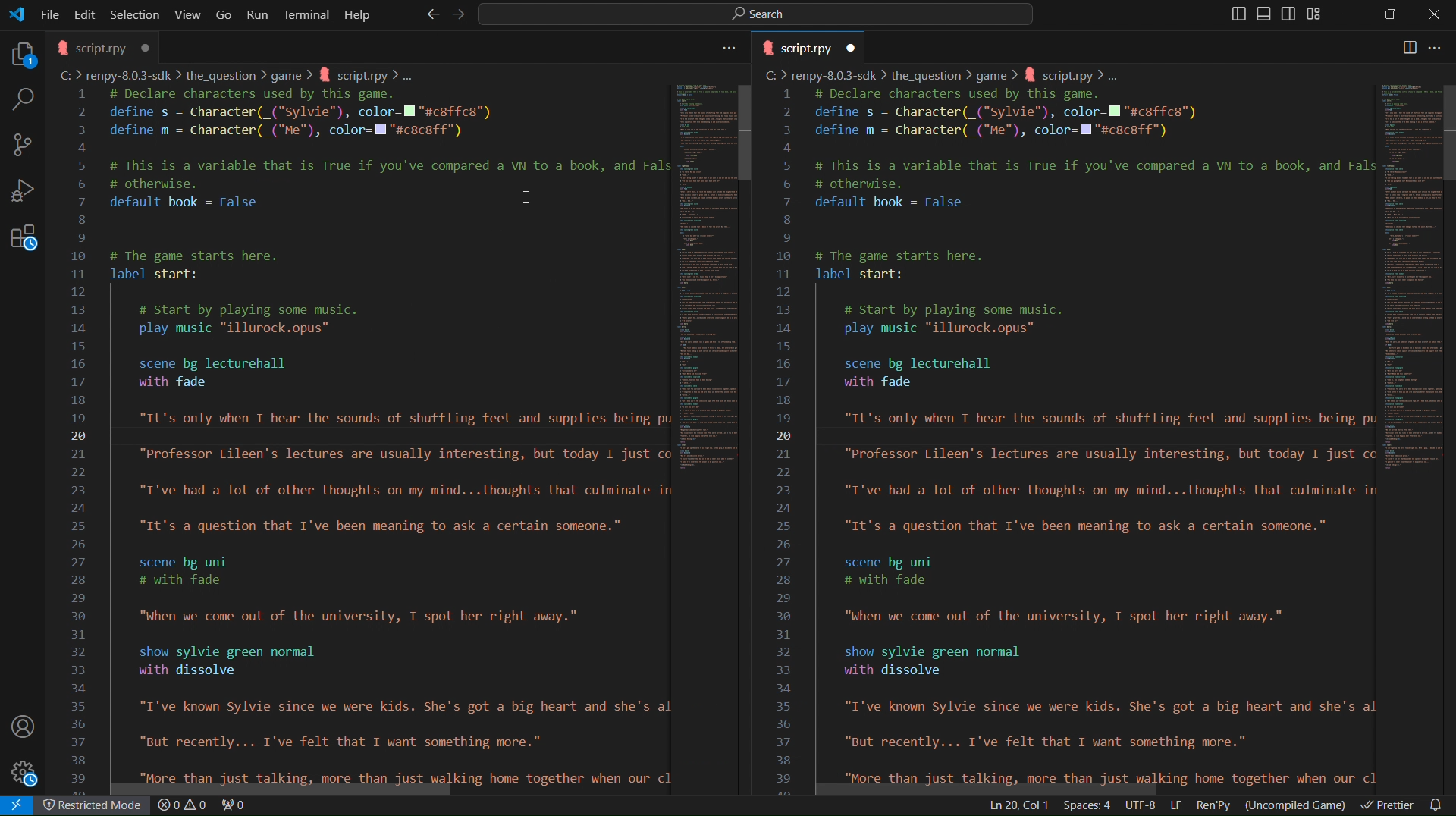  I want to click on Source Control, so click(23, 145).